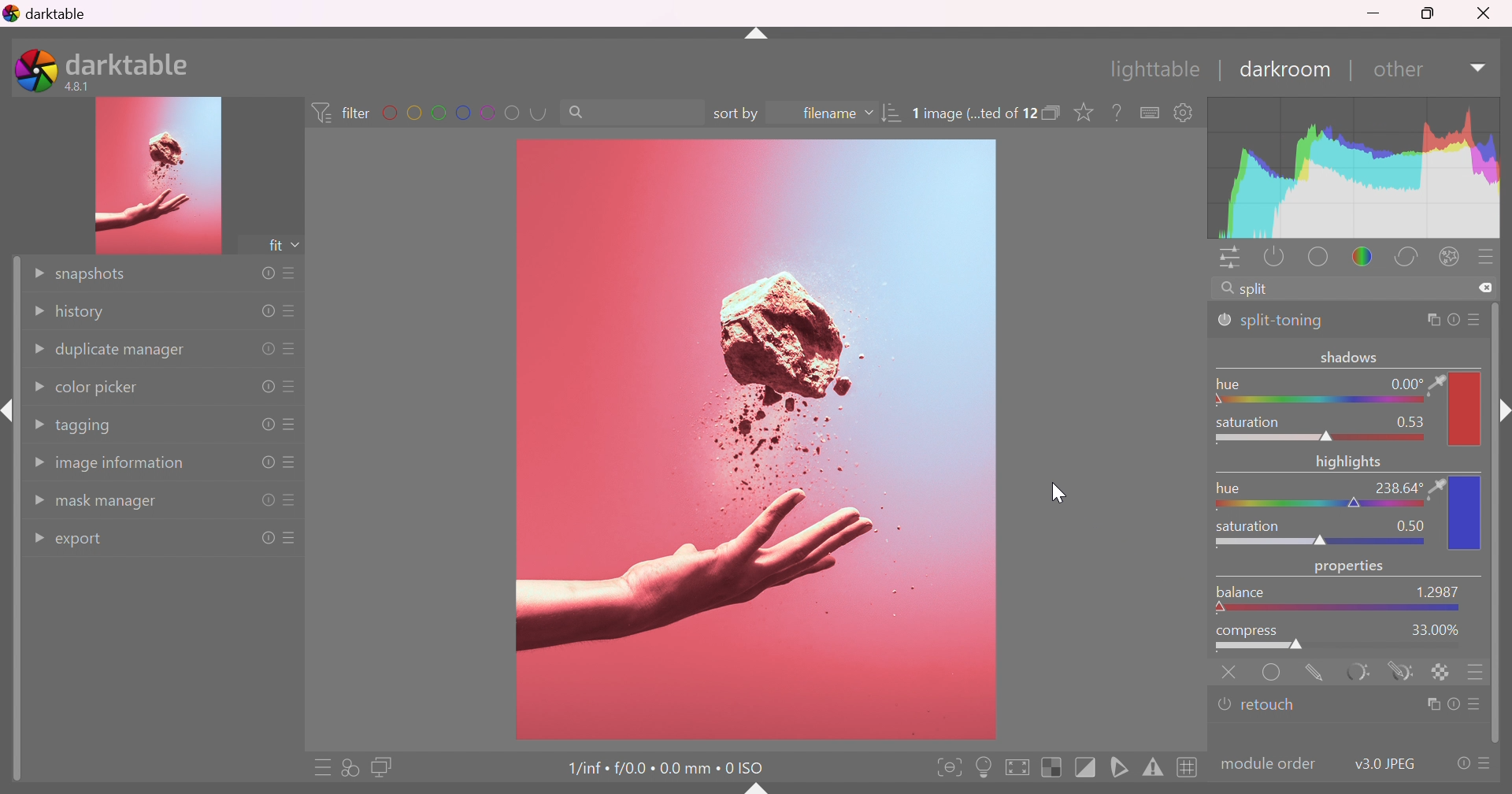  I want to click on color, so click(1466, 512).